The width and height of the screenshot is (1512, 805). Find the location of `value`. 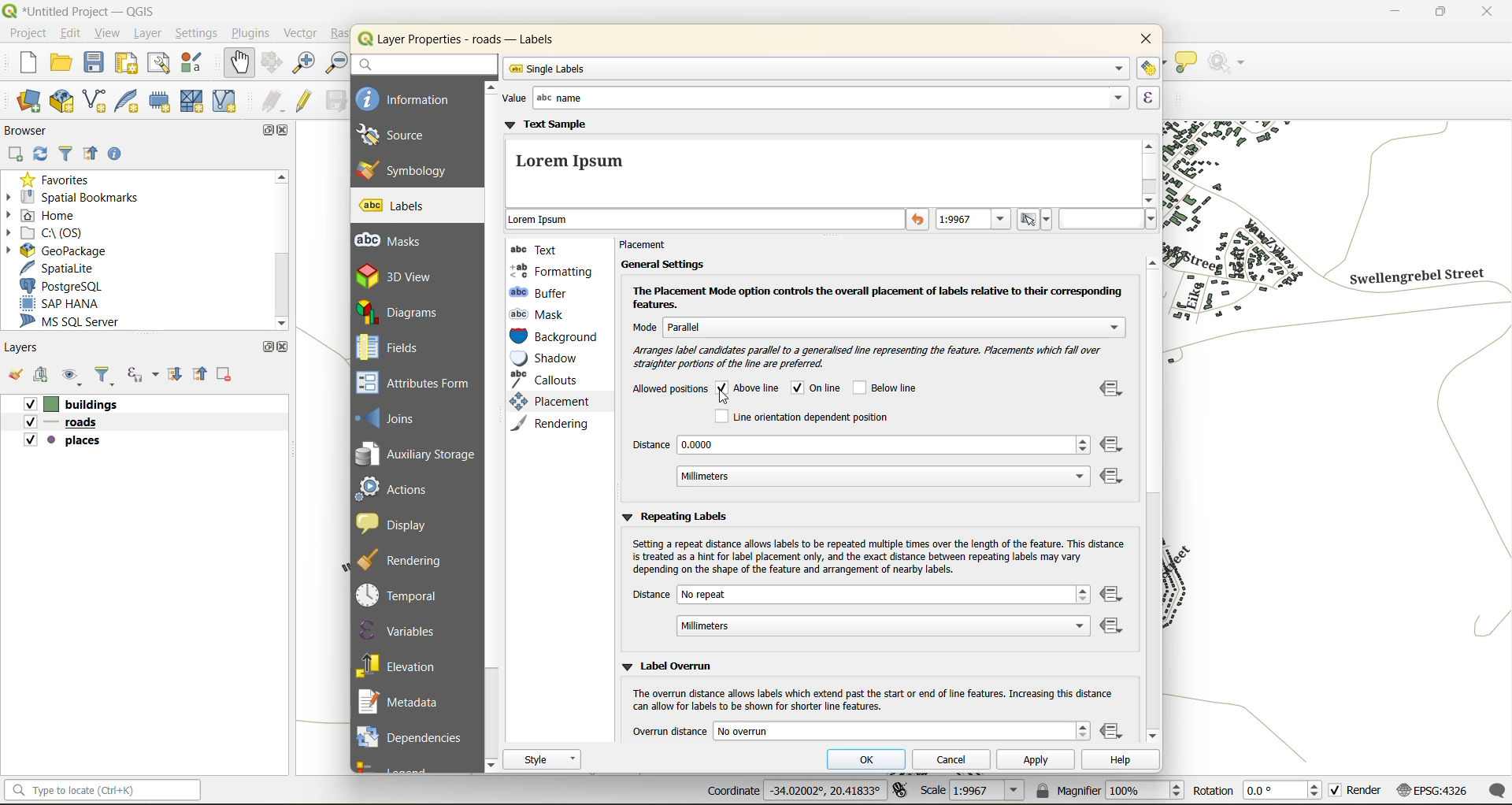

value is located at coordinates (812, 98).